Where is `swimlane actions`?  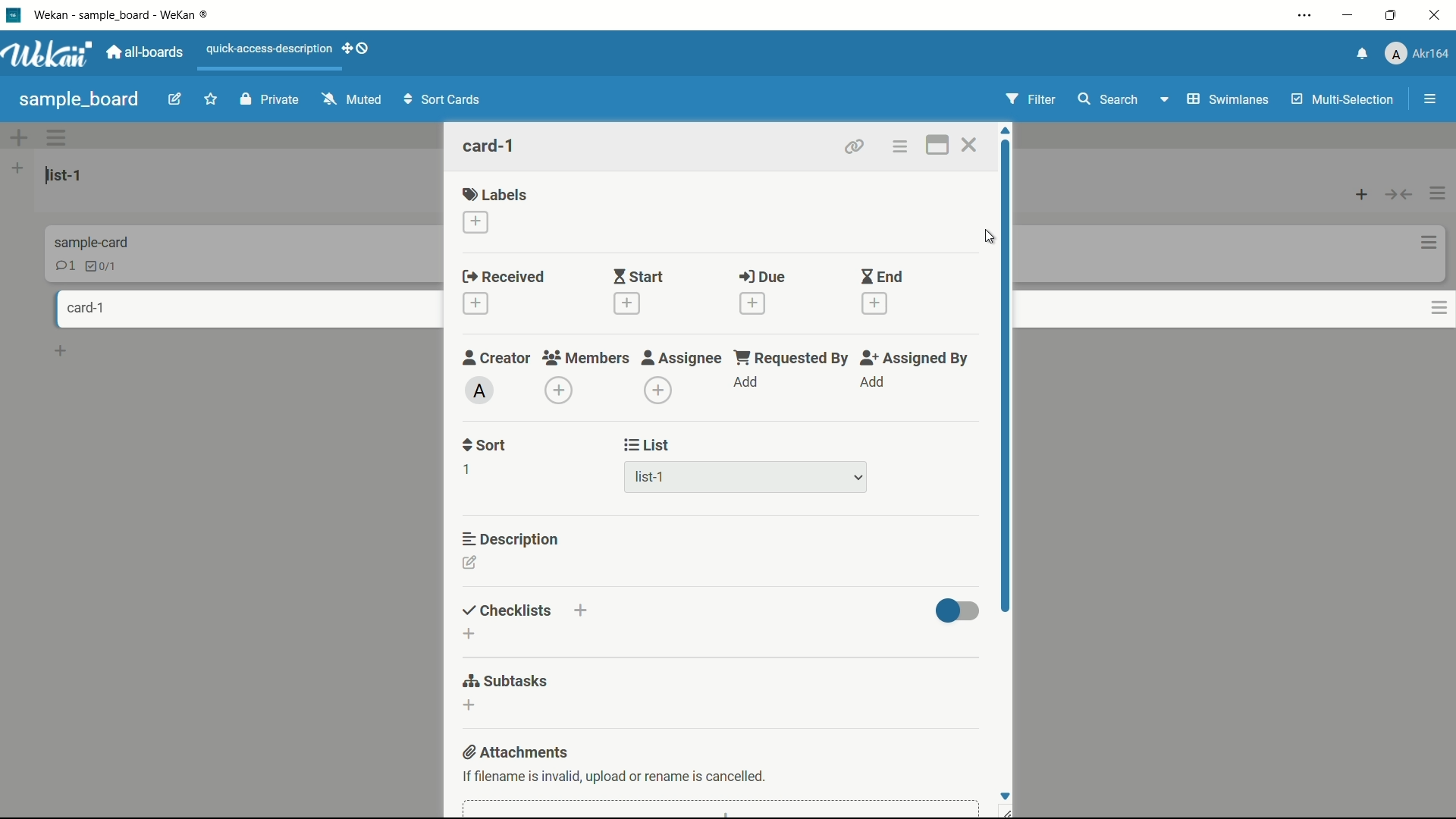
swimlane actions is located at coordinates (57, 138).